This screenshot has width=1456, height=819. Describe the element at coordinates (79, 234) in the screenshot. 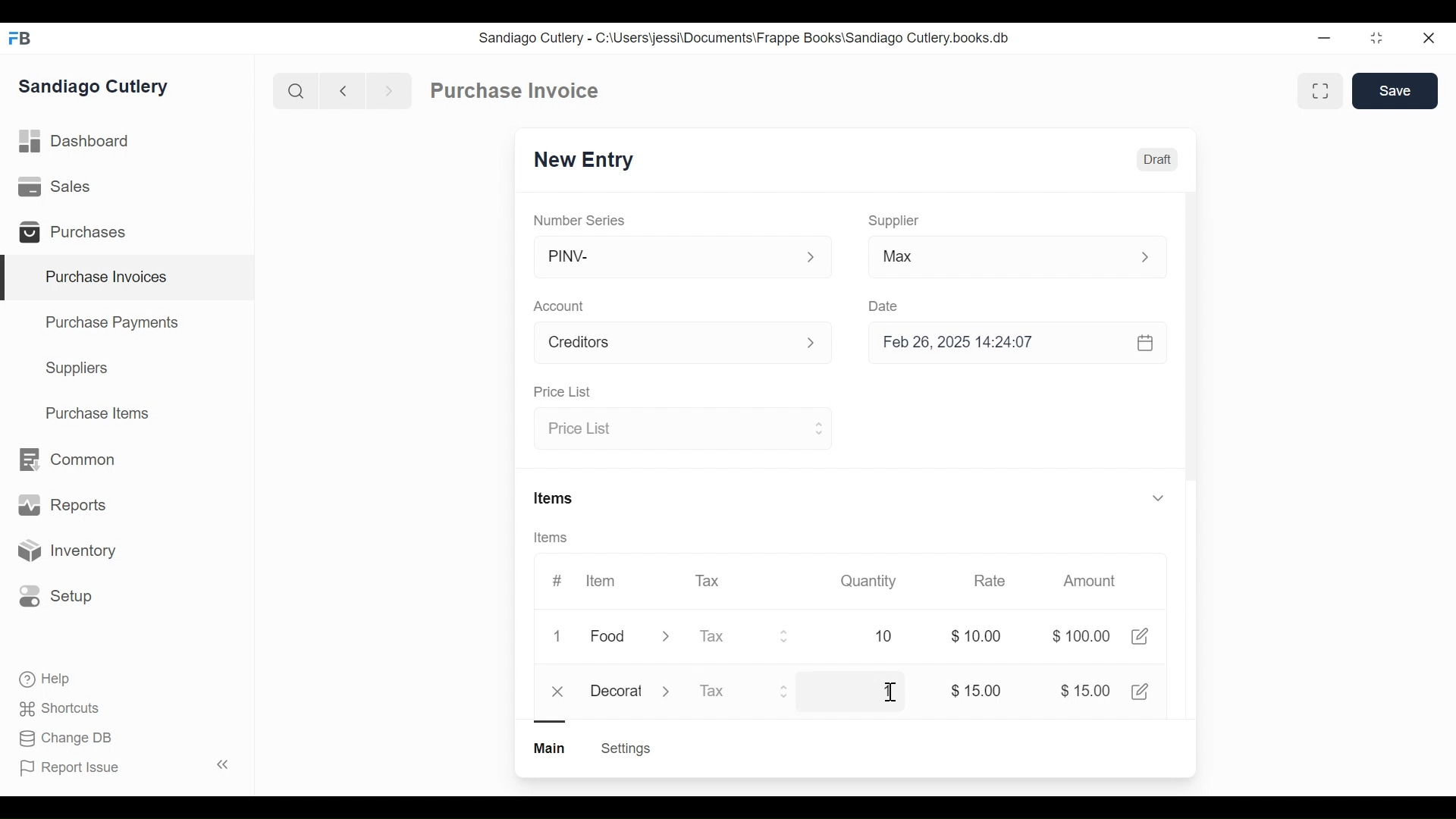

I see `Purchases` at that location.